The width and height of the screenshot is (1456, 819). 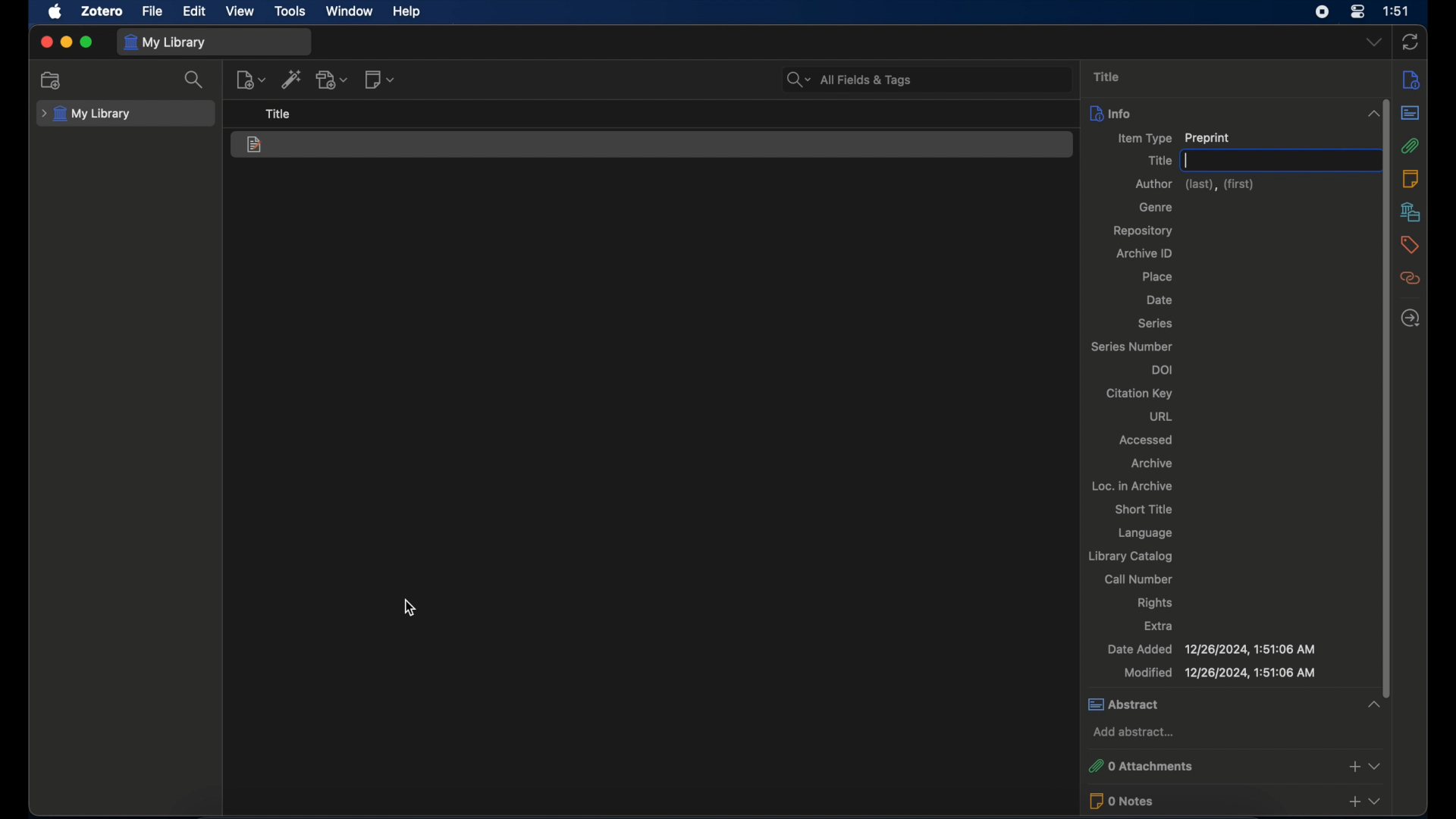 I want to click on cursor, so click(x=409, y=607).